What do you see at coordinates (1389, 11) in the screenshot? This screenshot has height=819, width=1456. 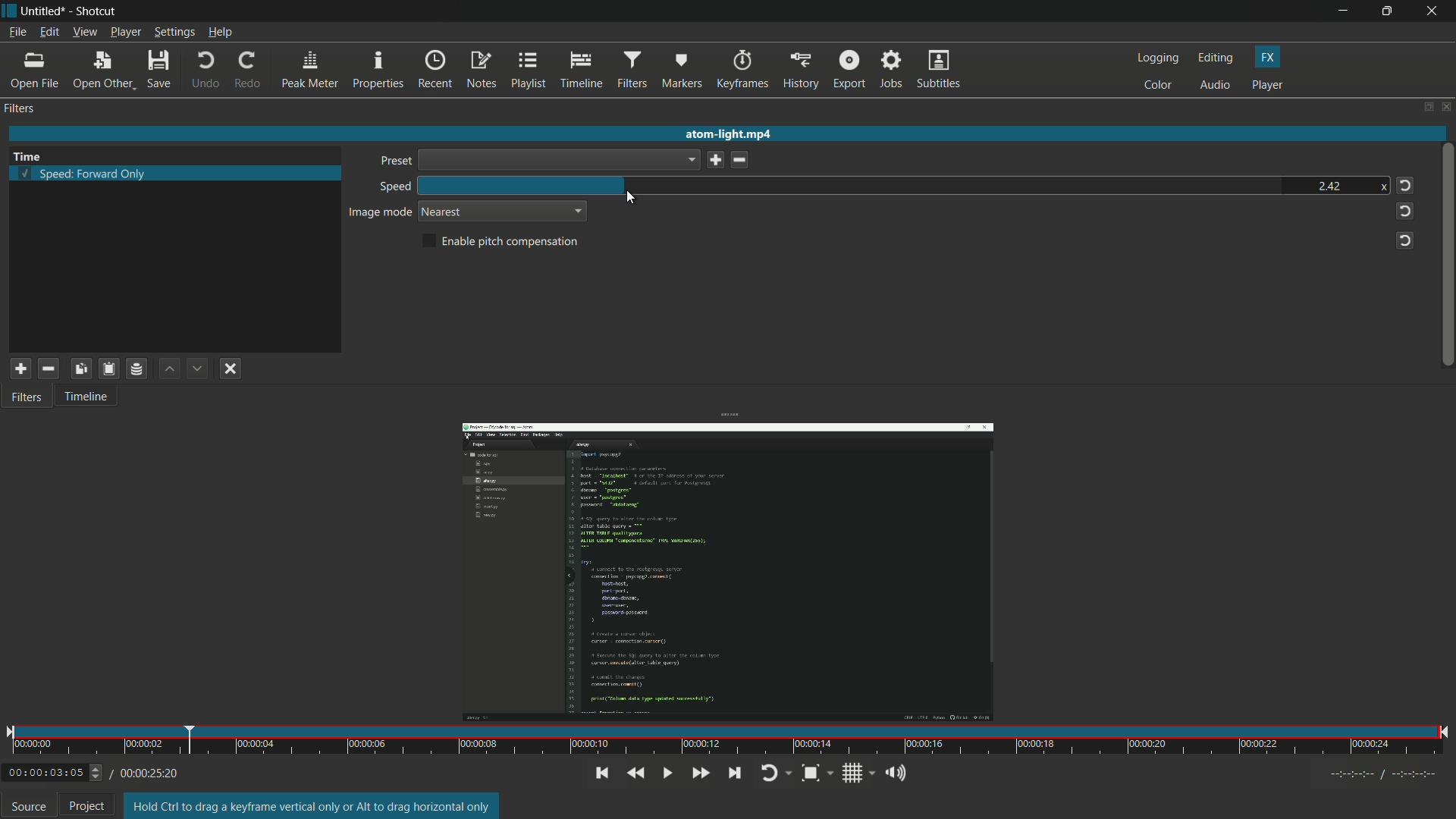 I see `maximize` at bounding box center [1389, 11].